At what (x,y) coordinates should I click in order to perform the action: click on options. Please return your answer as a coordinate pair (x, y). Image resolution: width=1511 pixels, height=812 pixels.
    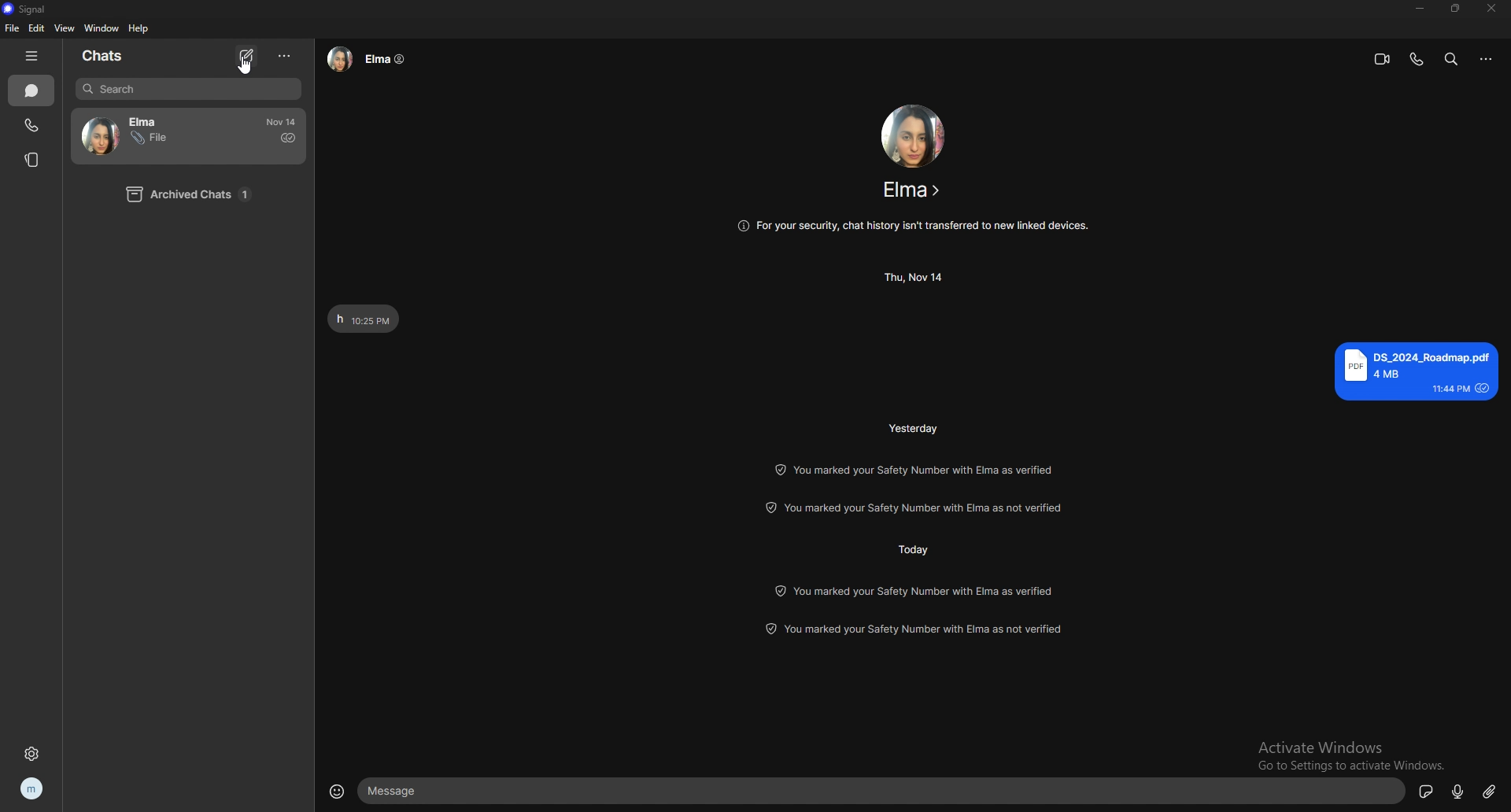
    Looking at the image, I should click on (285, 56).